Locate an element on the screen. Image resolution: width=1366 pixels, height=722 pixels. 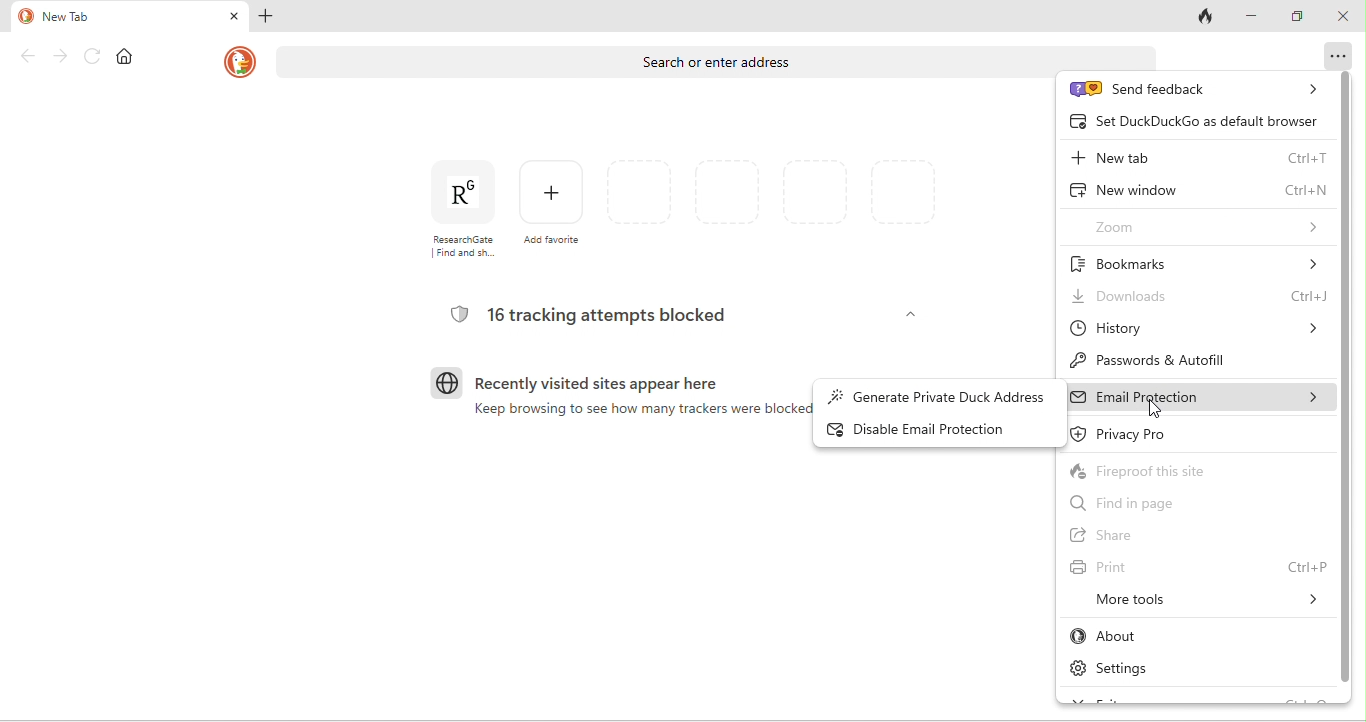
fireproof this site is located at coordinates (1162, 471).